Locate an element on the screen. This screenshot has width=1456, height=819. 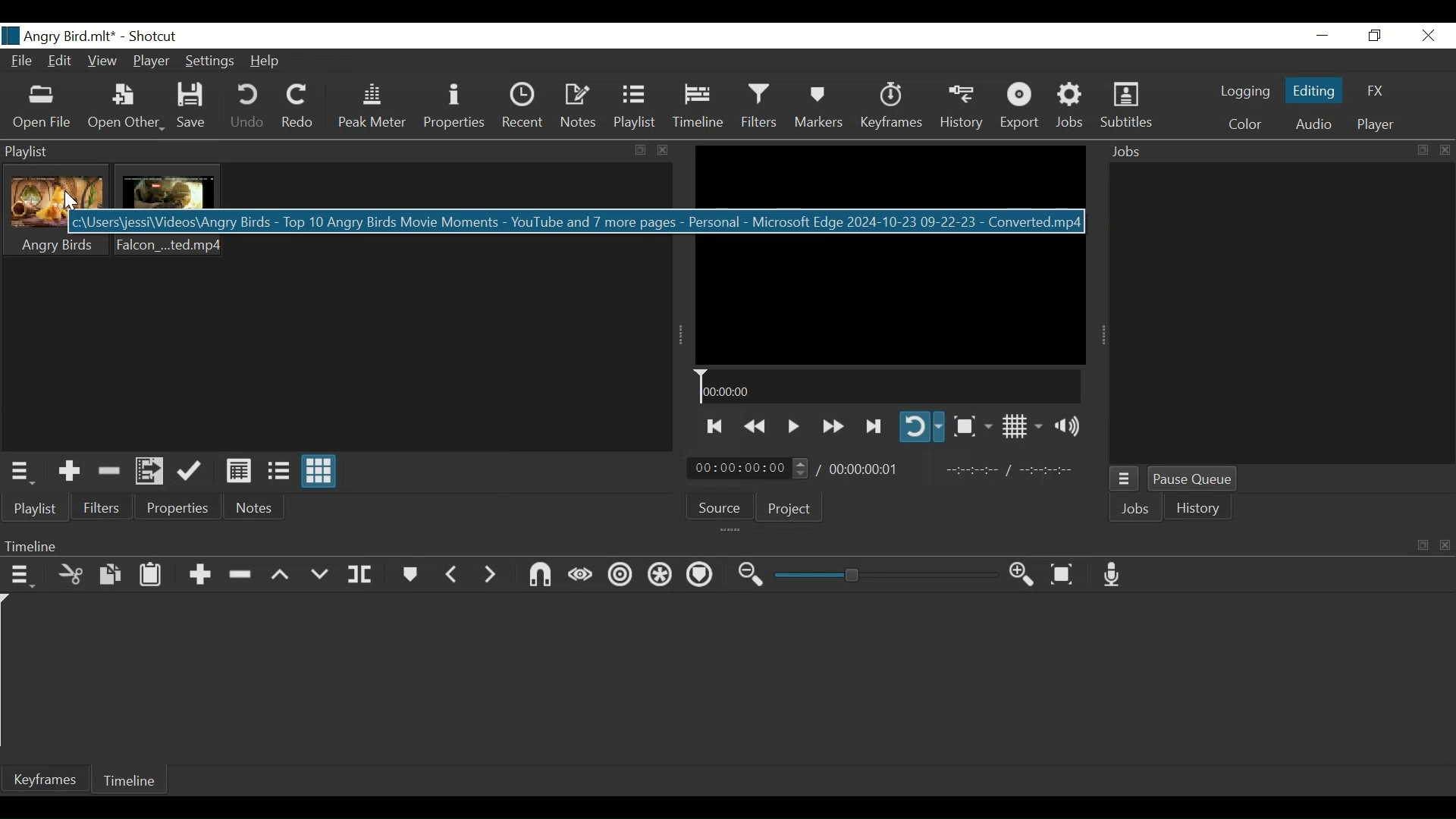
Toggle display grid on player is located at coordinates (1021, 427).